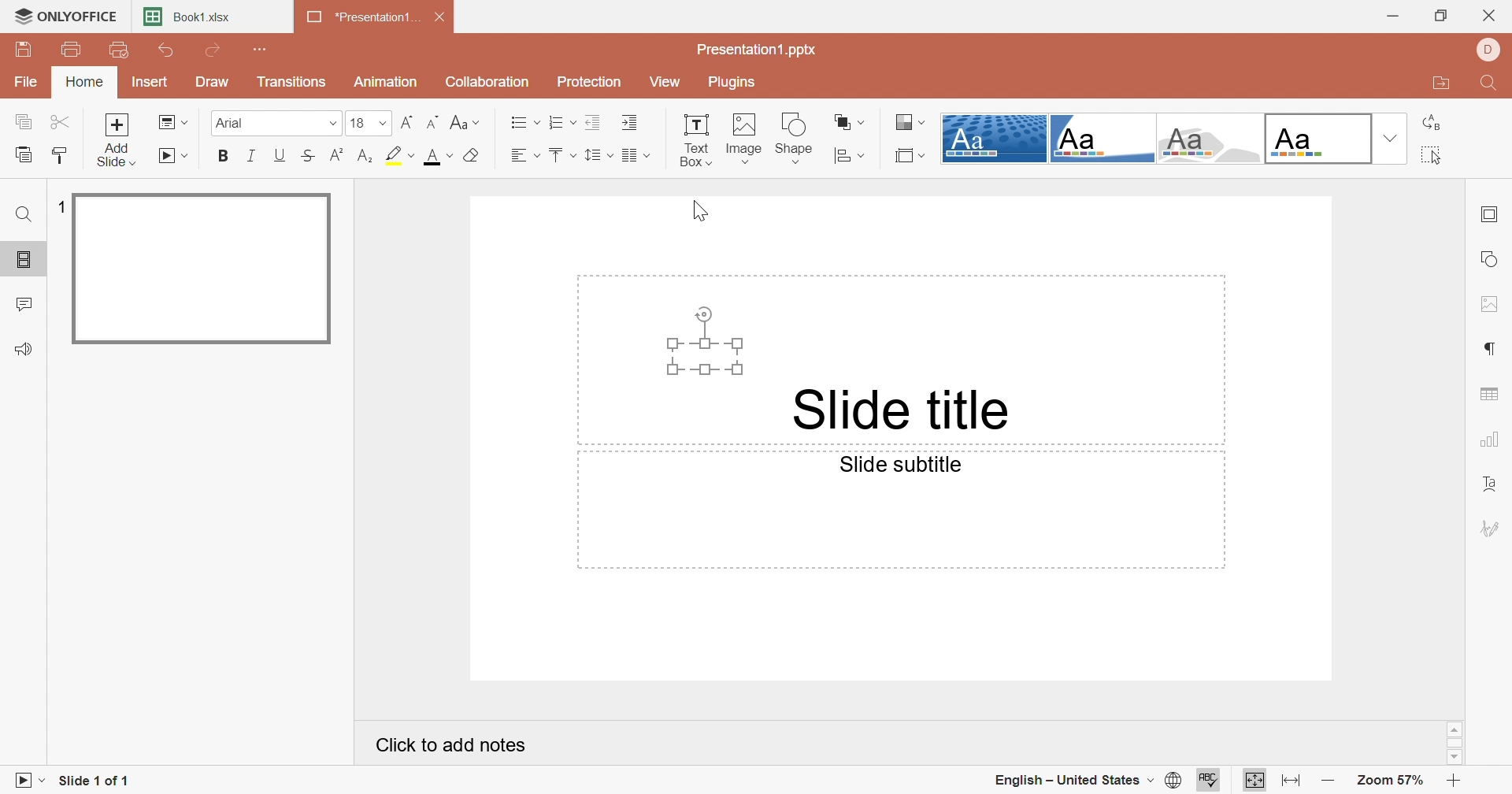  What do you see at coordinates (912, 123) in the screenshot?
I see `Change color theme` at bounding box center [912, 123].